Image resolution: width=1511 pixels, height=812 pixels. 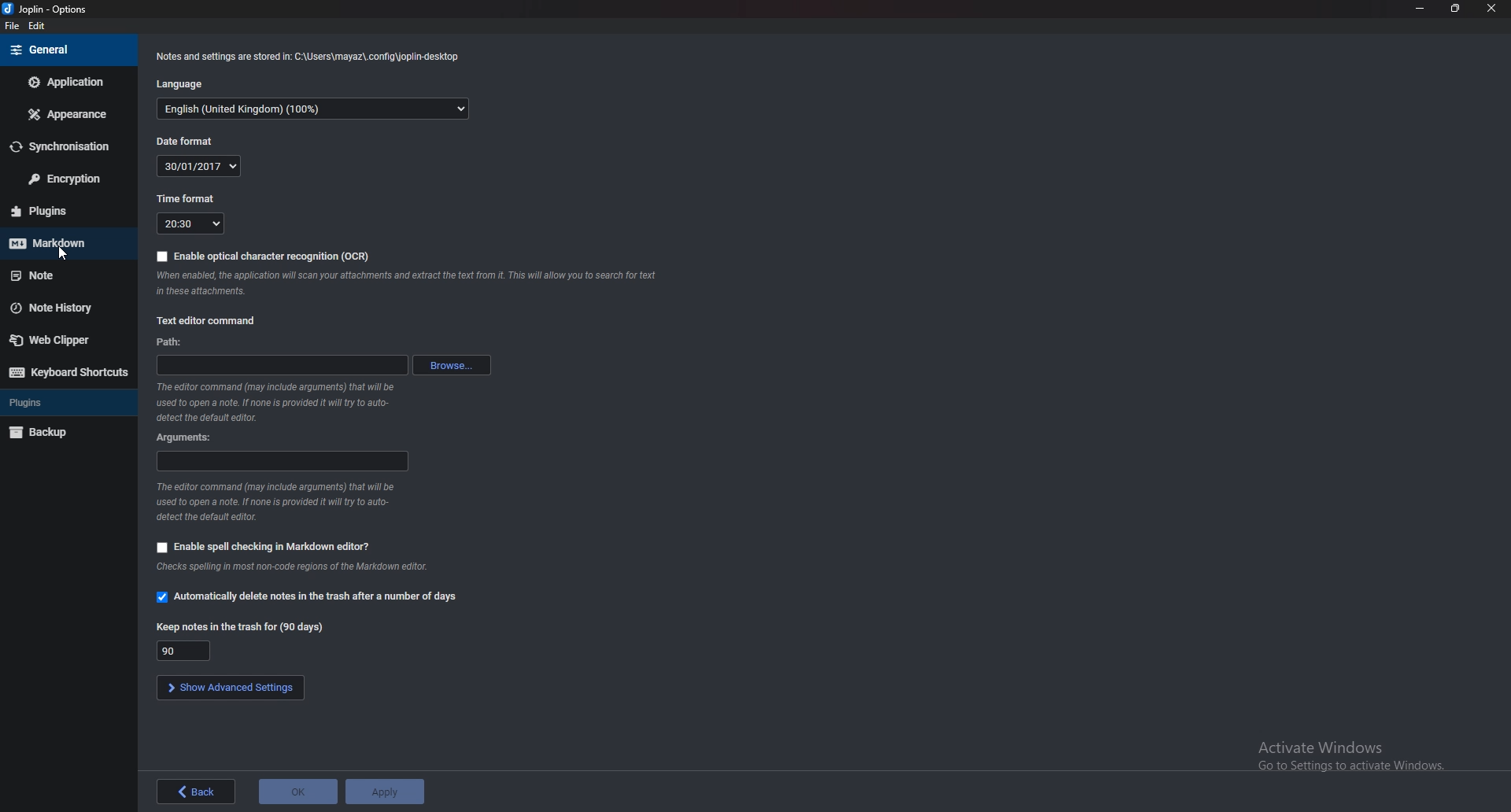 I want to click on Automatically delete notes, so click(x=308, y=597).